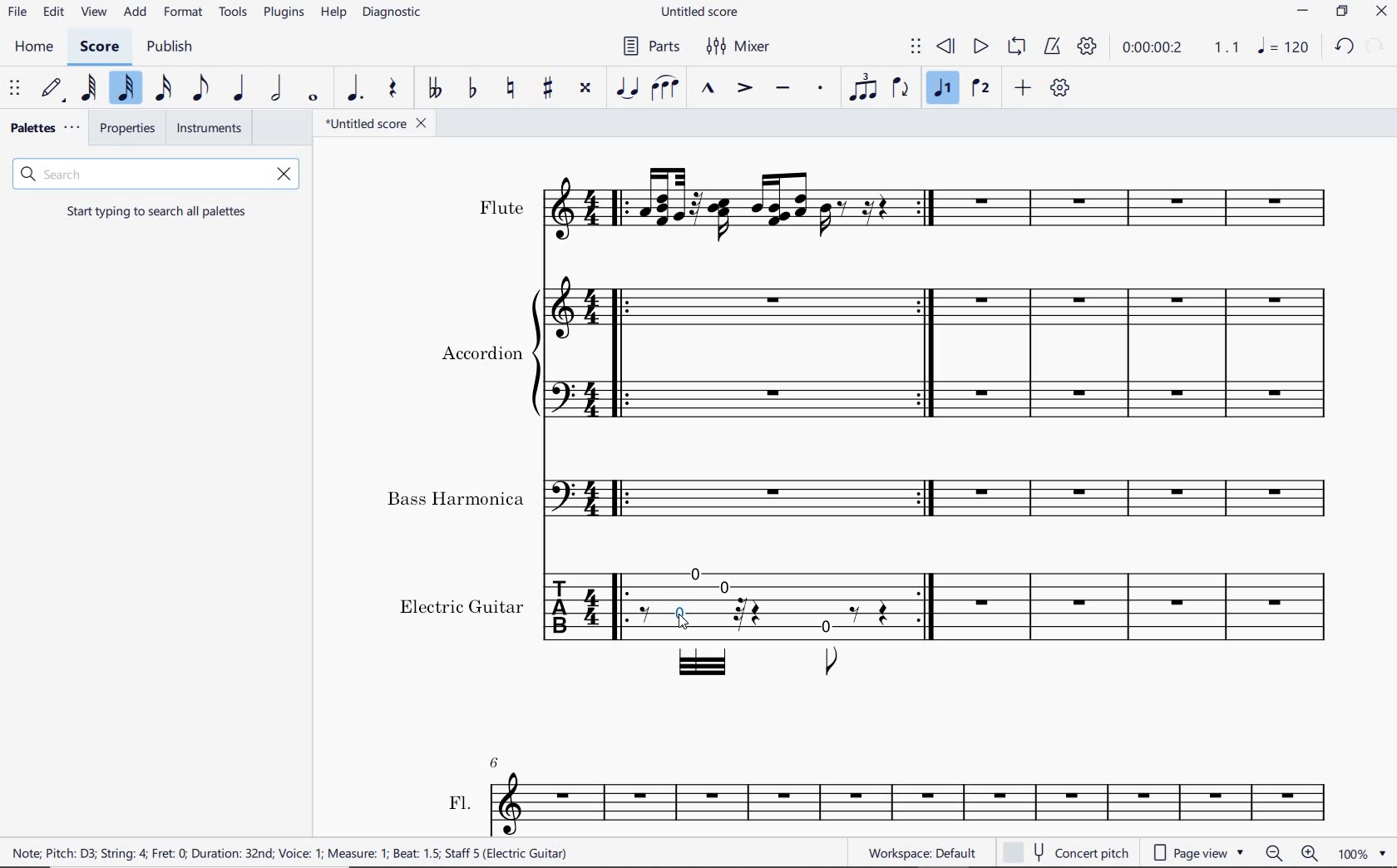 This screenshot has height=868, width=1397. Describe the element at coordinates (863, 498) in the screenshot. I see `Instrument: Bass Harmonica` at that location.